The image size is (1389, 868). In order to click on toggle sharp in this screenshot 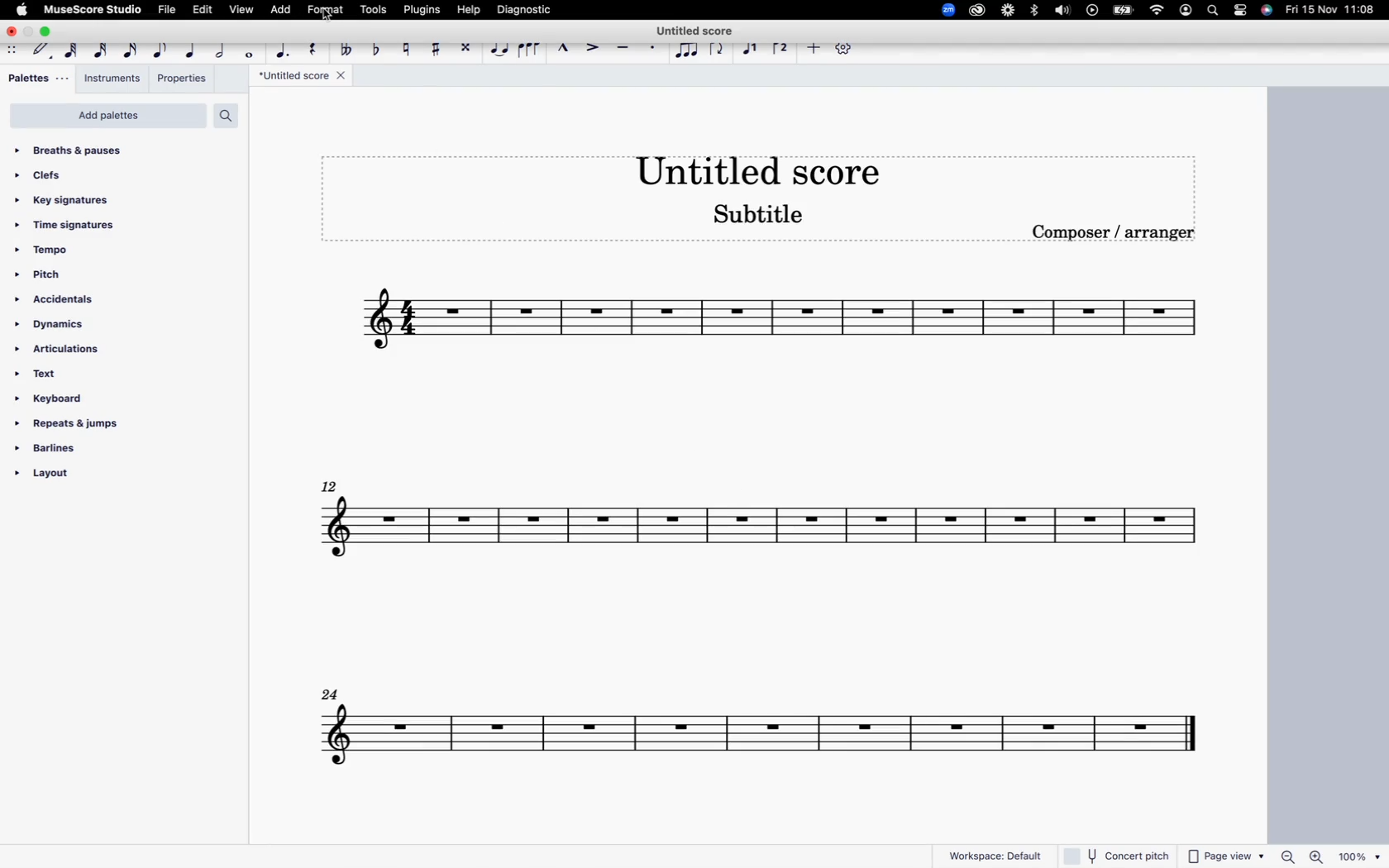, I will do `click(435, 48)`.